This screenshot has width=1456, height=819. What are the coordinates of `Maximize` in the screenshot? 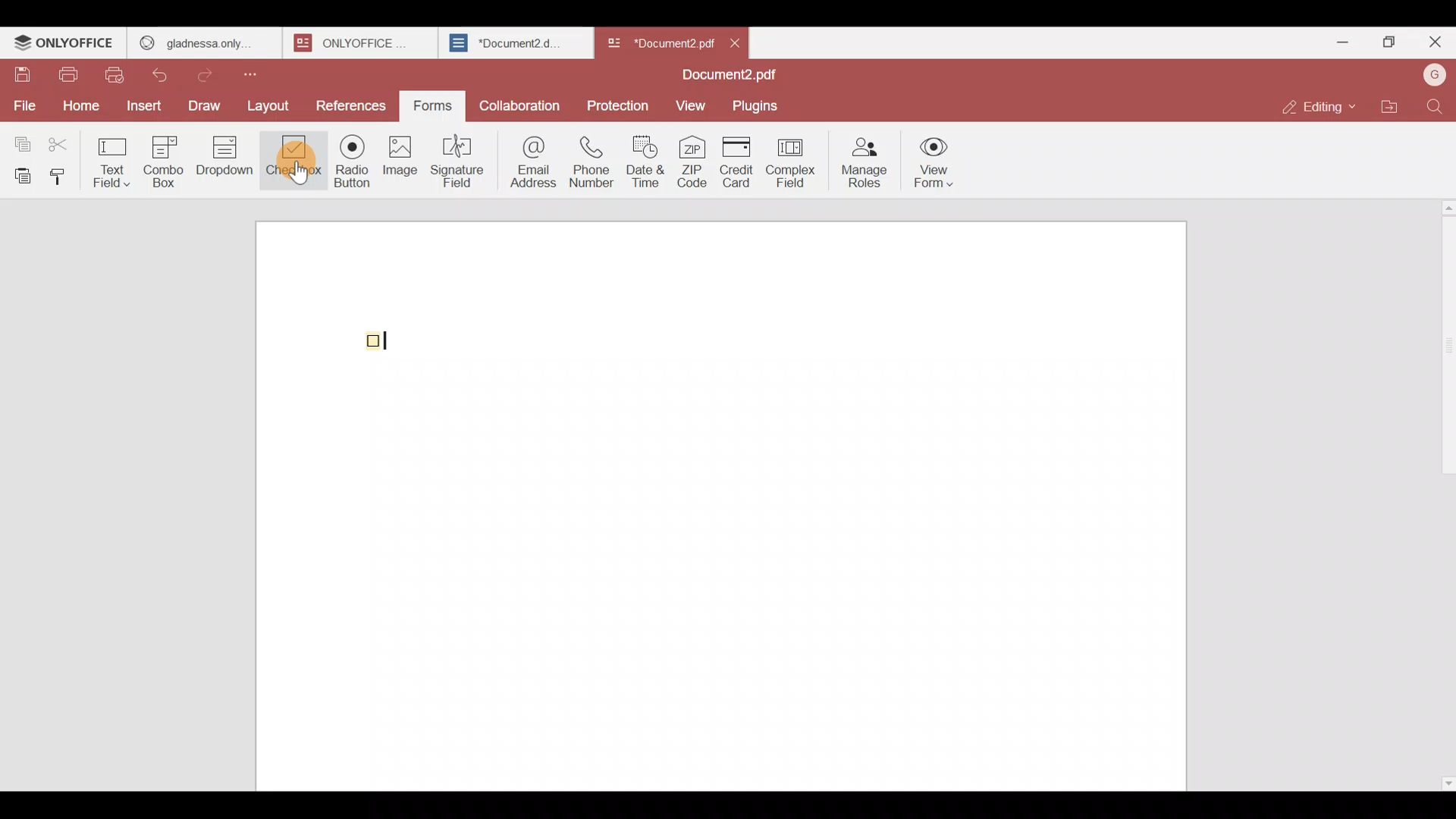 It's located at (1386, 41).